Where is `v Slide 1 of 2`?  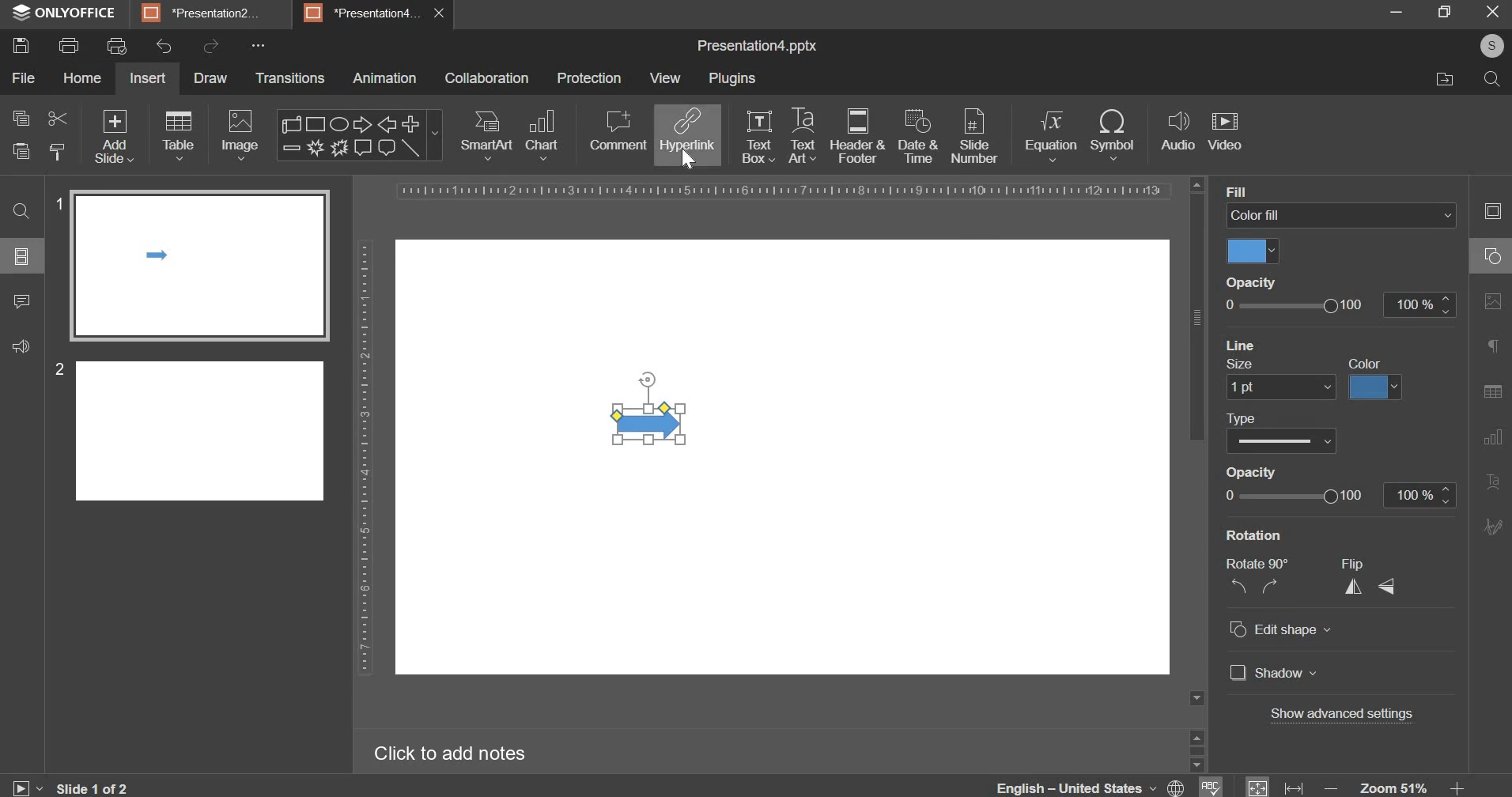 v Slide 1 of 2 is located at coordinates (104, 786).